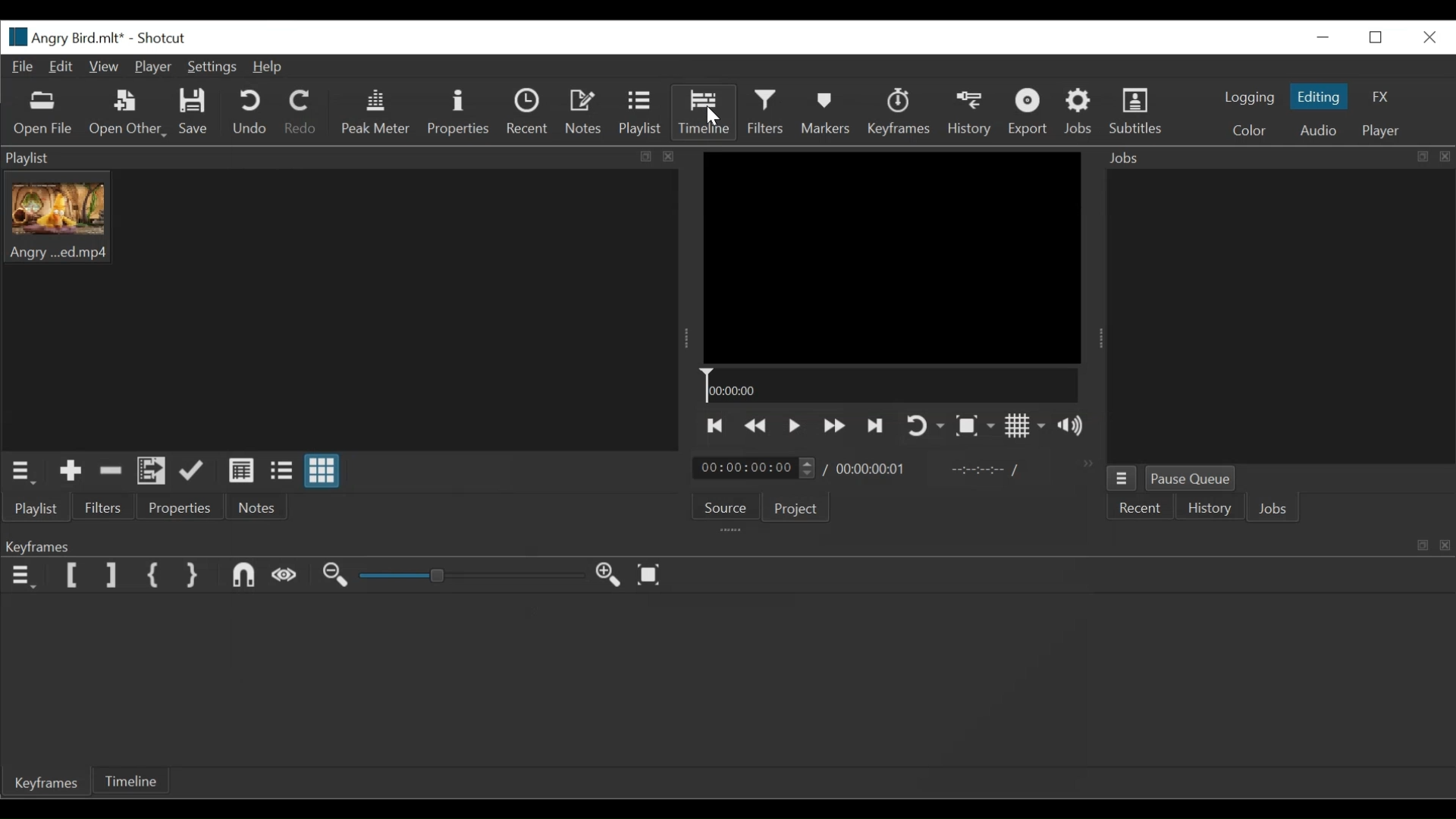 This screenshot has height=819, width=1456. I want to click on Open File, so click(42, 114).